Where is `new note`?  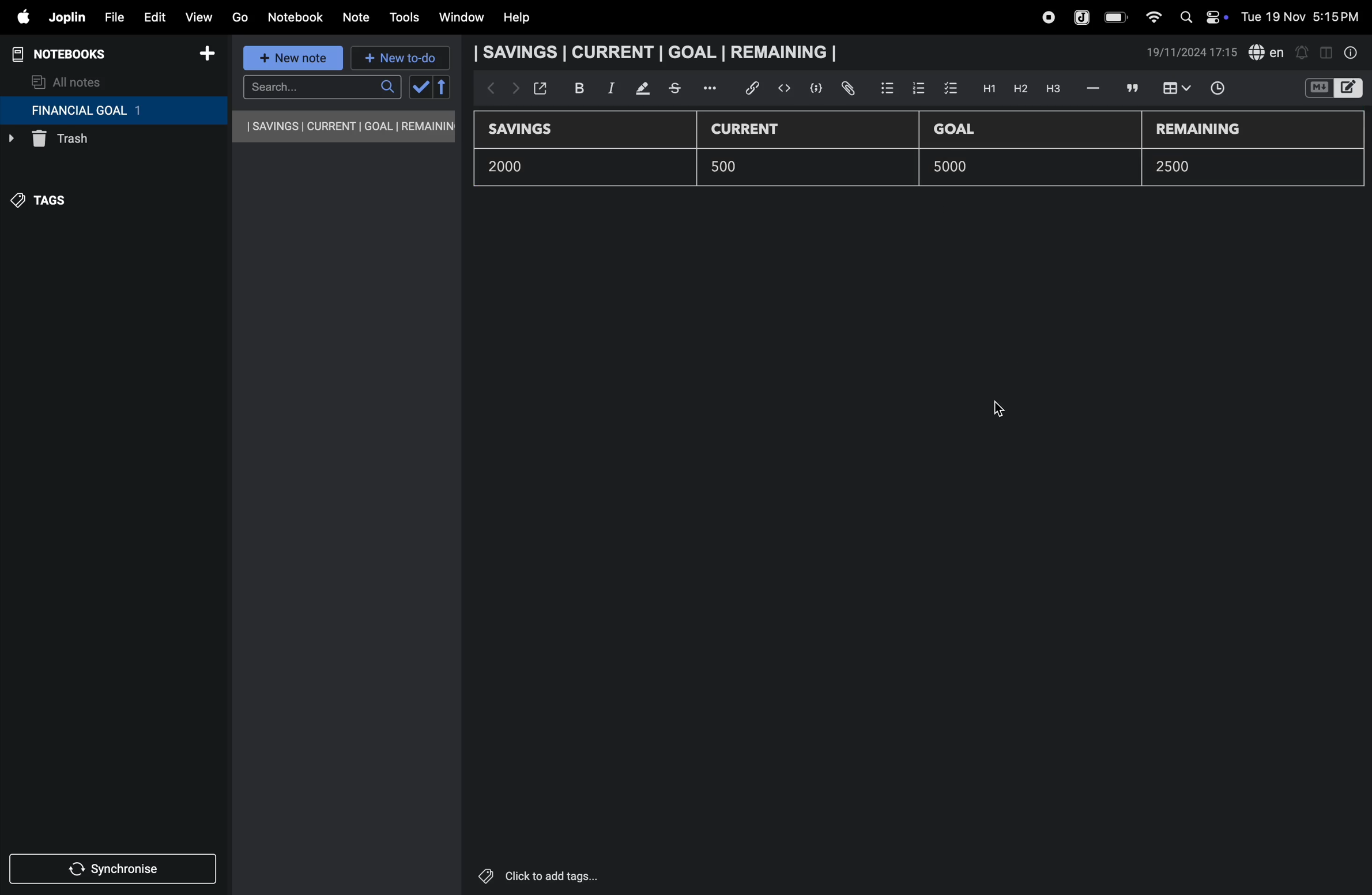 new note is located at coordinates (295, 59).